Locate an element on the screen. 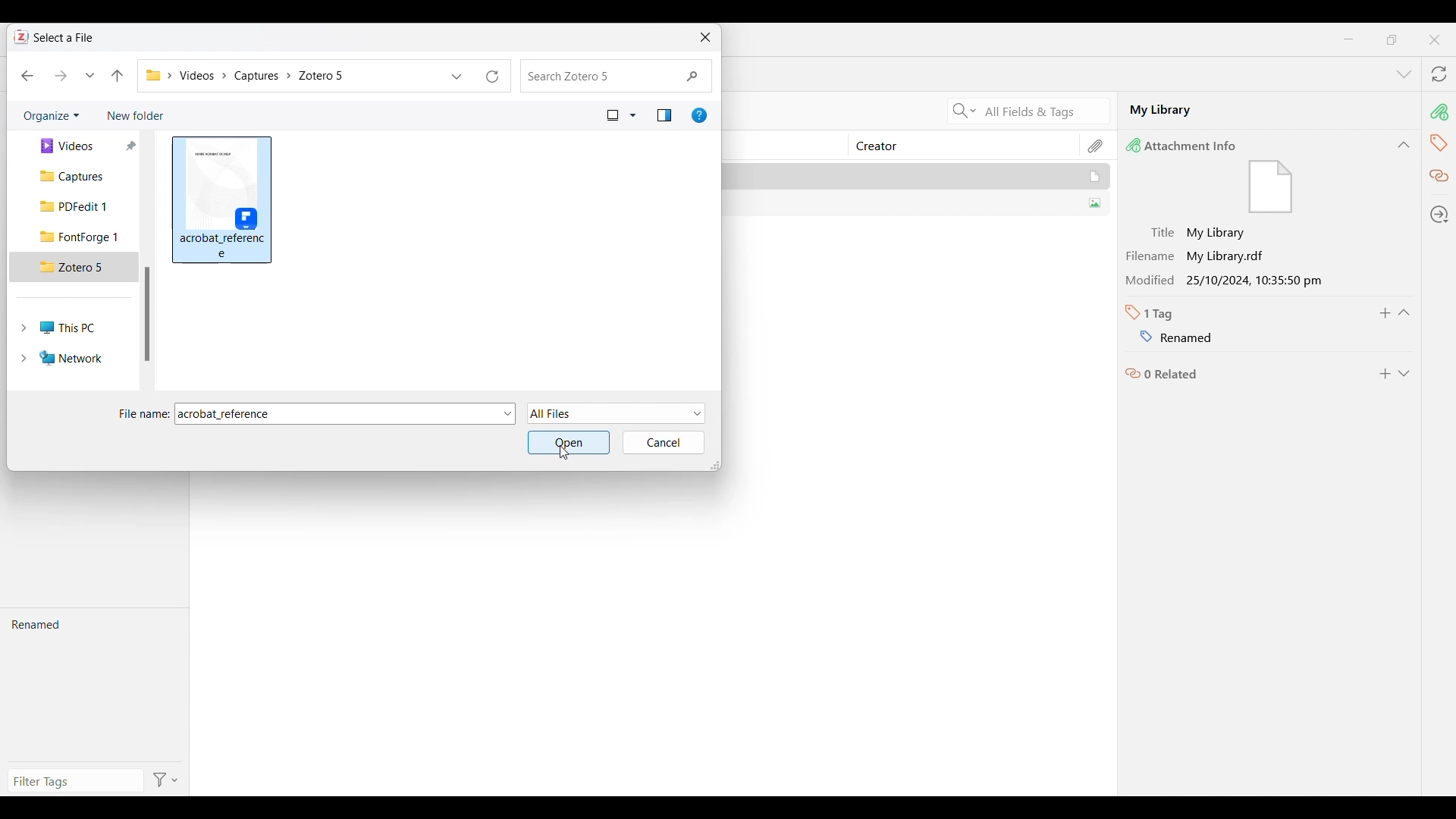 This screenshot has height=819, width=1456. List all tabs is located at coordinates (1404, 74).